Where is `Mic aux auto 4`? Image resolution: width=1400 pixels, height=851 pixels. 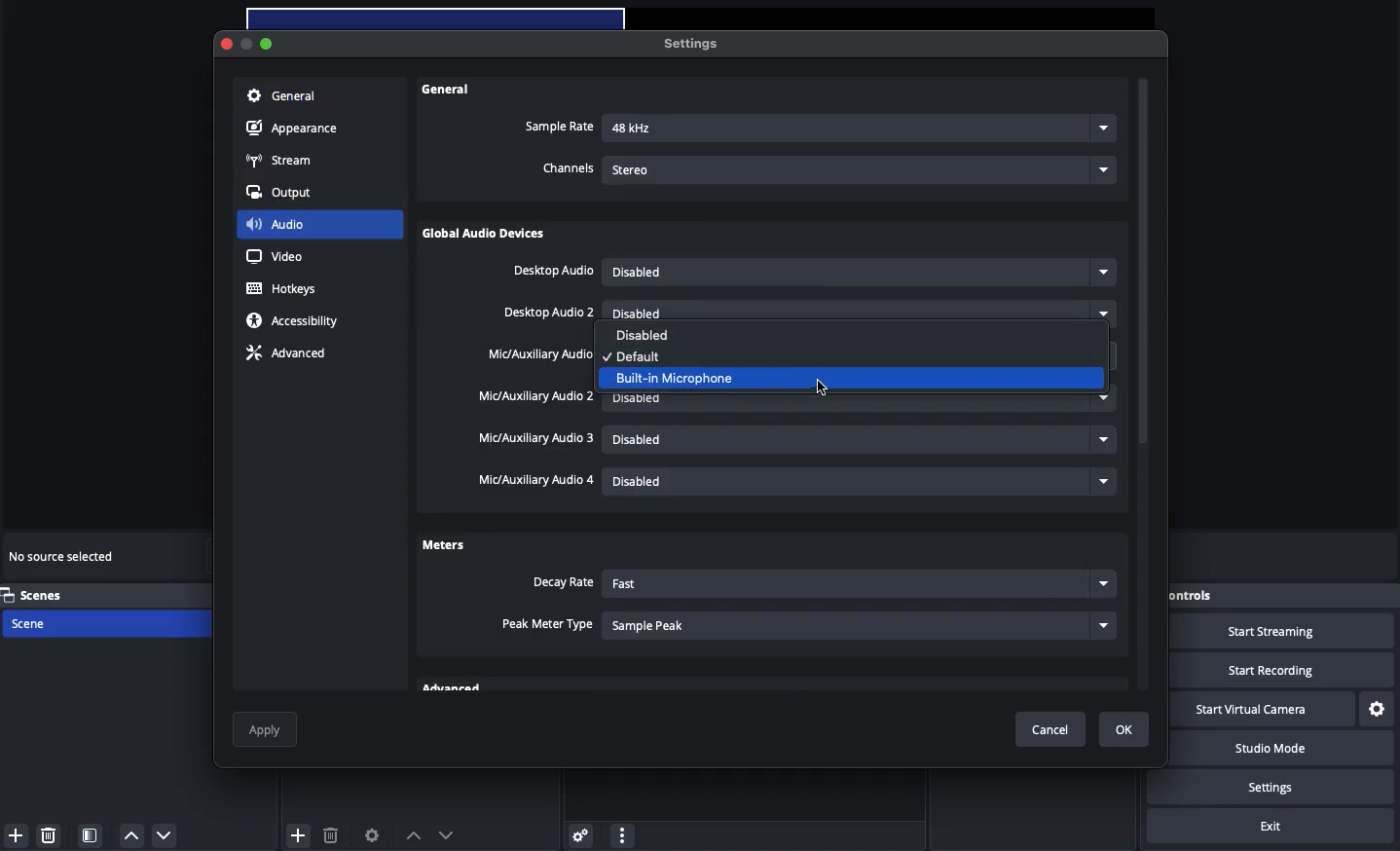 Mic aux auto 4 is located at coordinates (534, 480).